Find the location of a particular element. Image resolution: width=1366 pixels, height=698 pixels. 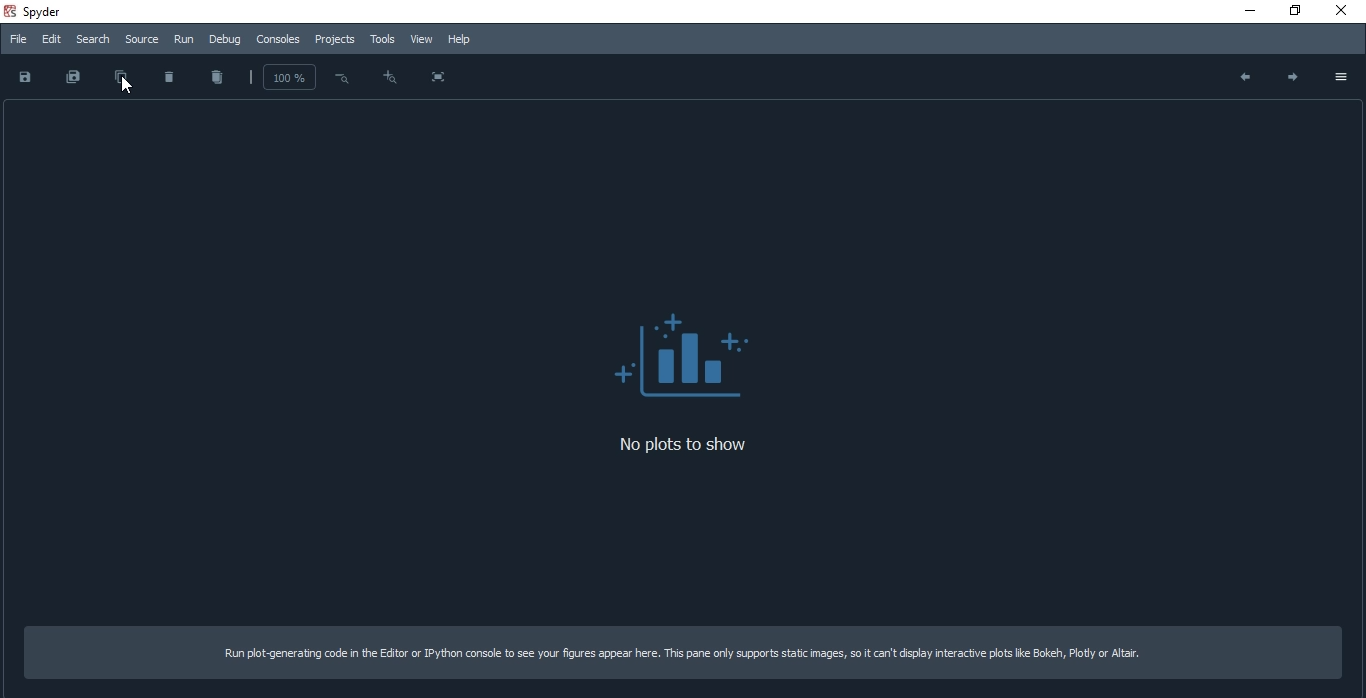

zoom percent is located at coordinates (289, 78).